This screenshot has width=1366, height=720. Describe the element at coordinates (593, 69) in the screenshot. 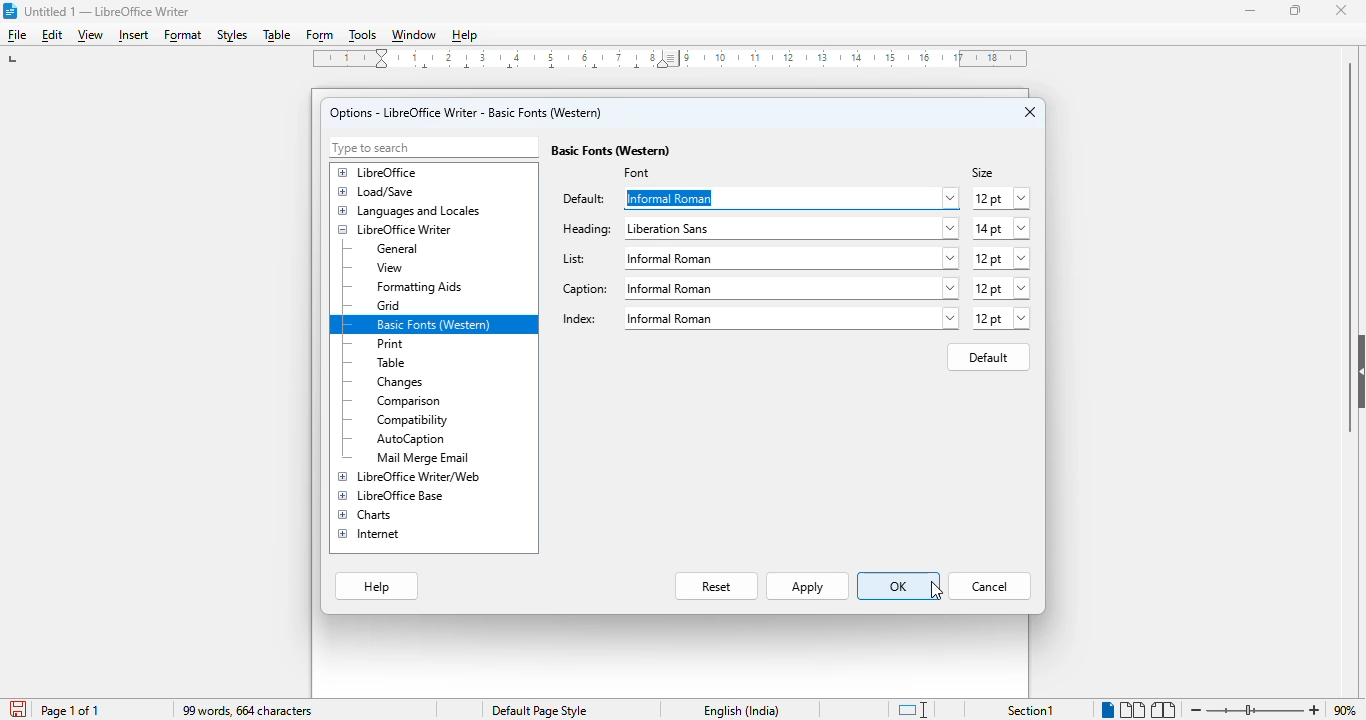

I see `center tab` at that location.